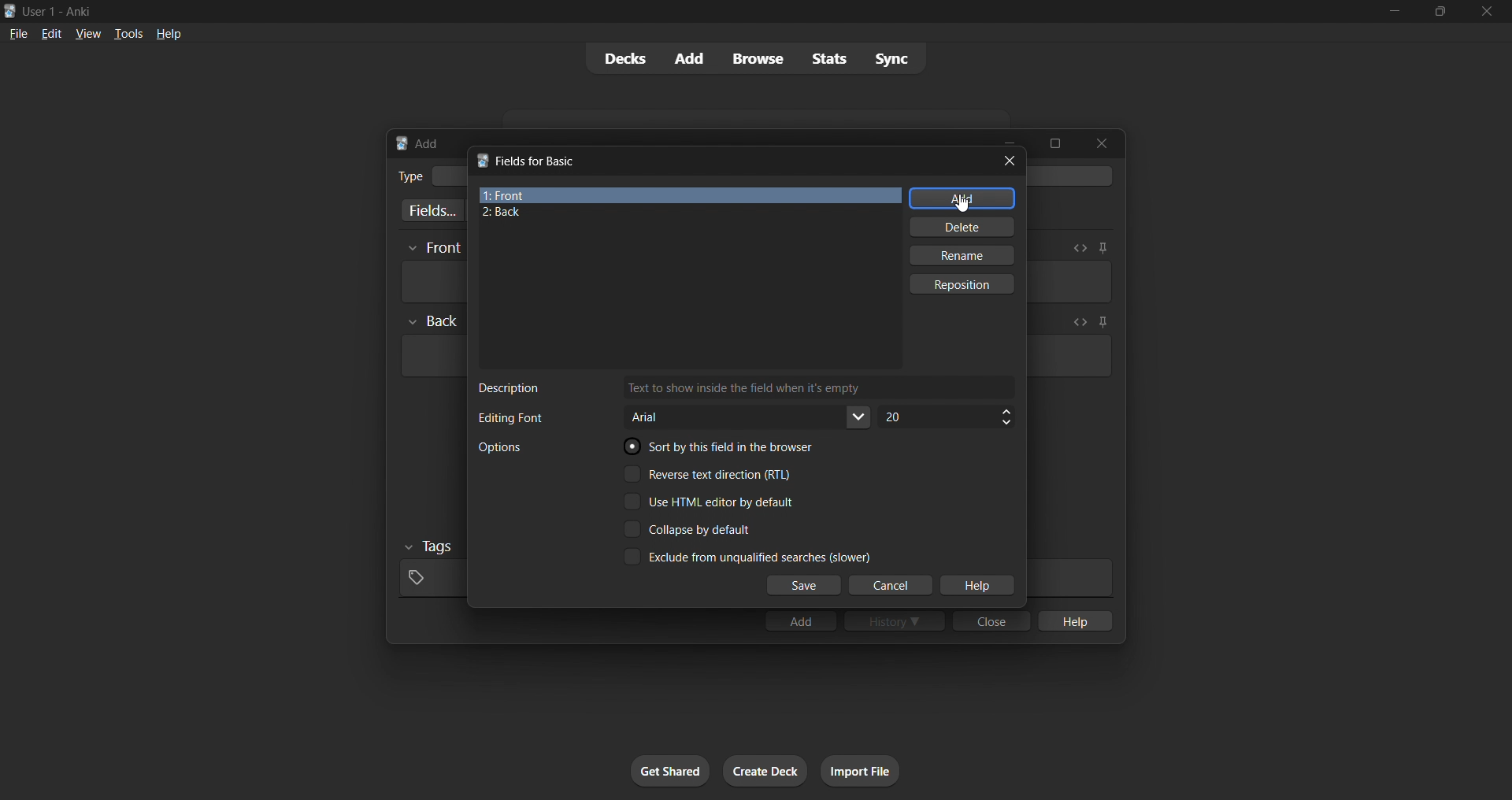 This screenshot has width=1512, height=800. I want to click on front field, so click(690, 195).